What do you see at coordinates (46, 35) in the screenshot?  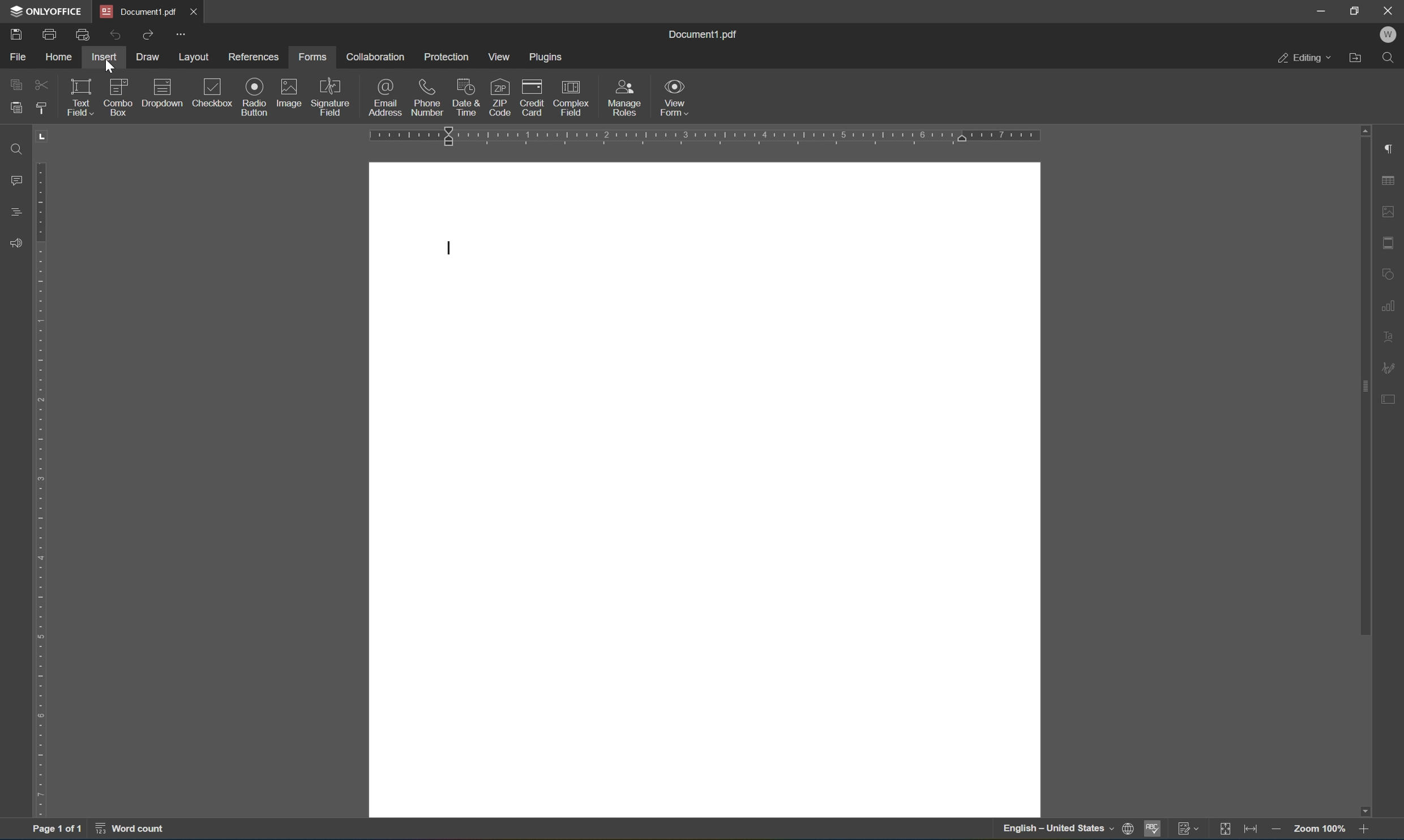 I see `print` at bounding box center [46, 35].